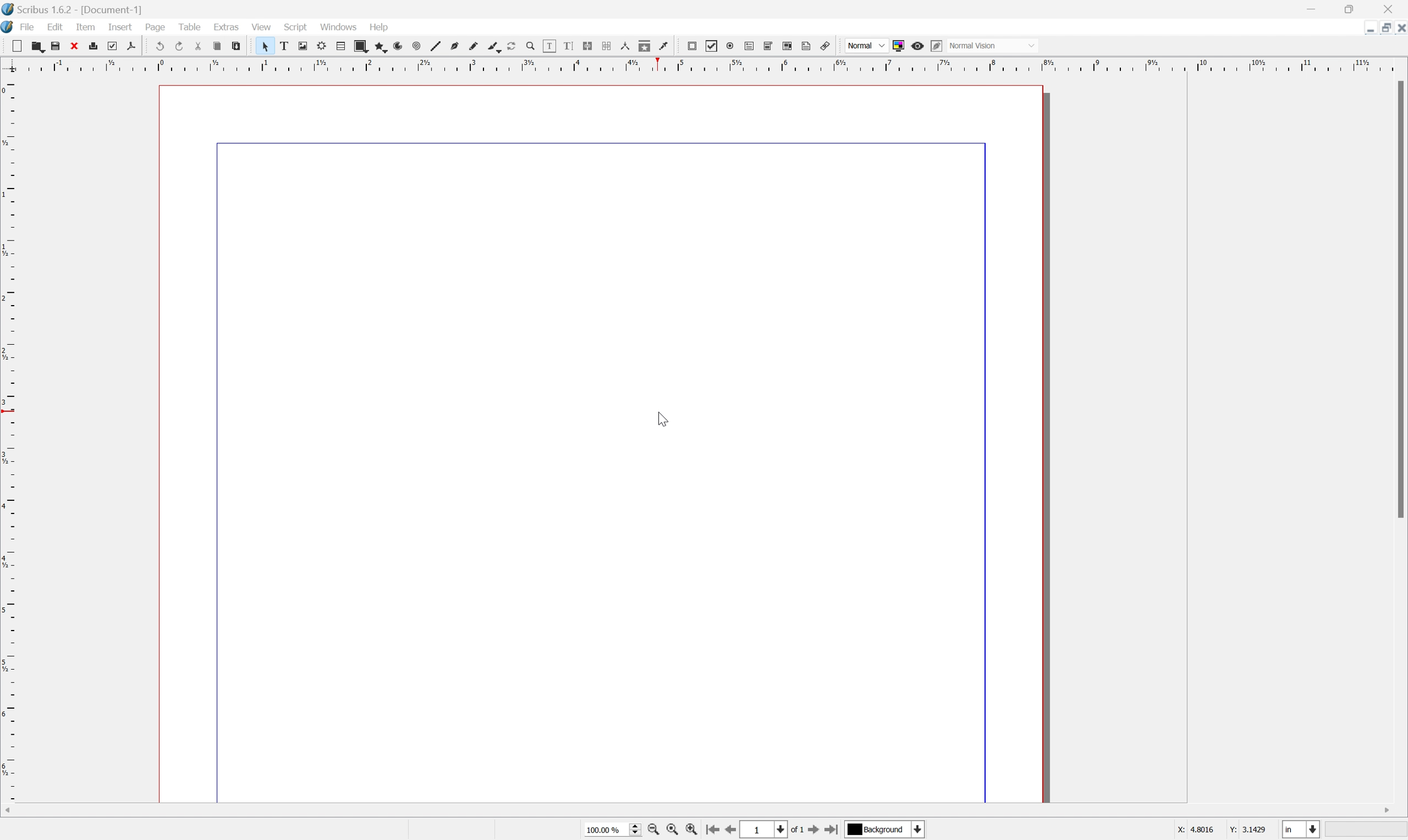 This screenshot has height=840, width=1408. What do you see at coordinates (379, 27) in the screenshot?
I see `help` at bounding box center [379, 27].